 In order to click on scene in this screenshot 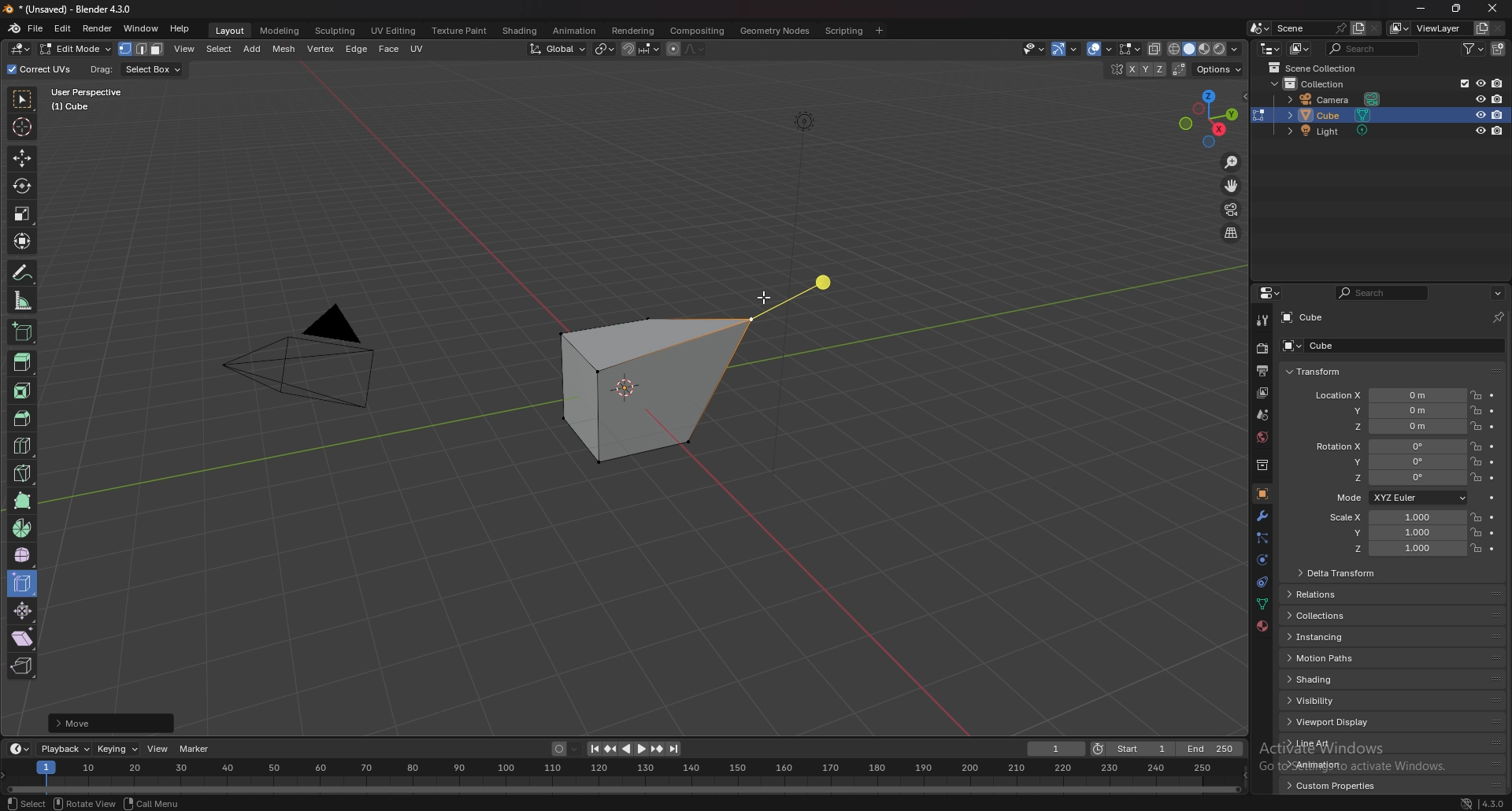, I will do `click(1265, 413)`.